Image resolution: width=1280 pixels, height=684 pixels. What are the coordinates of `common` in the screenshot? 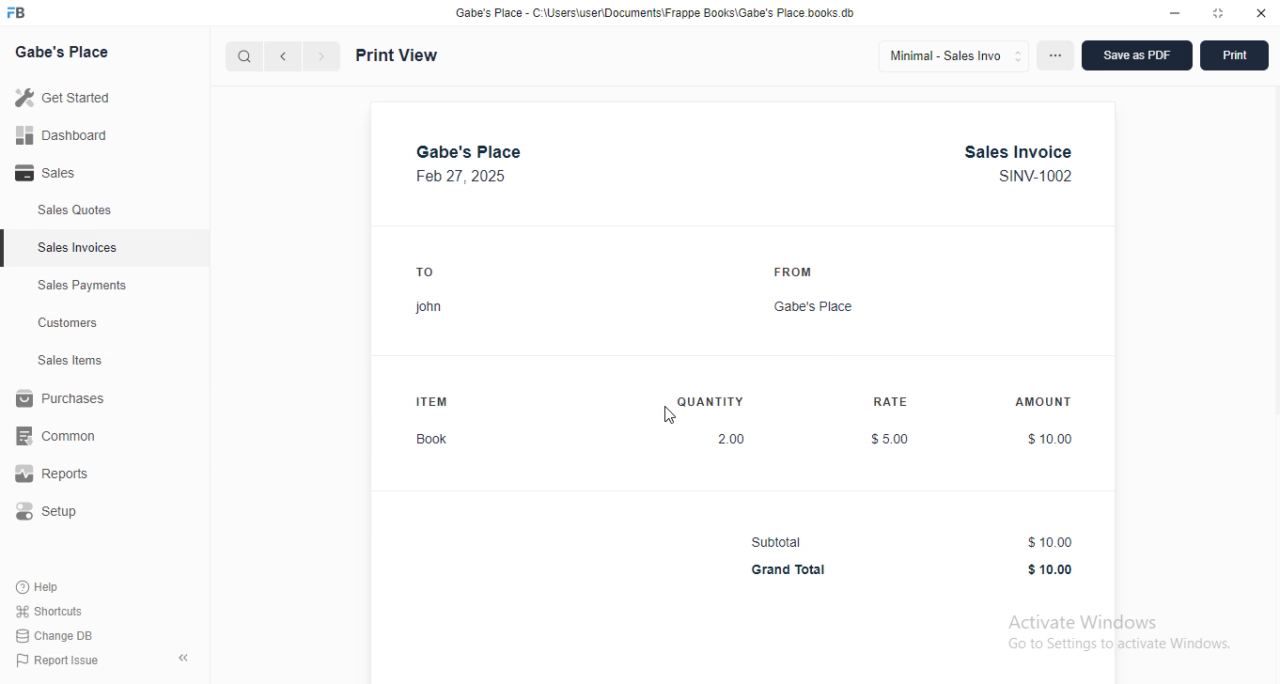 It's located at (55, 436).